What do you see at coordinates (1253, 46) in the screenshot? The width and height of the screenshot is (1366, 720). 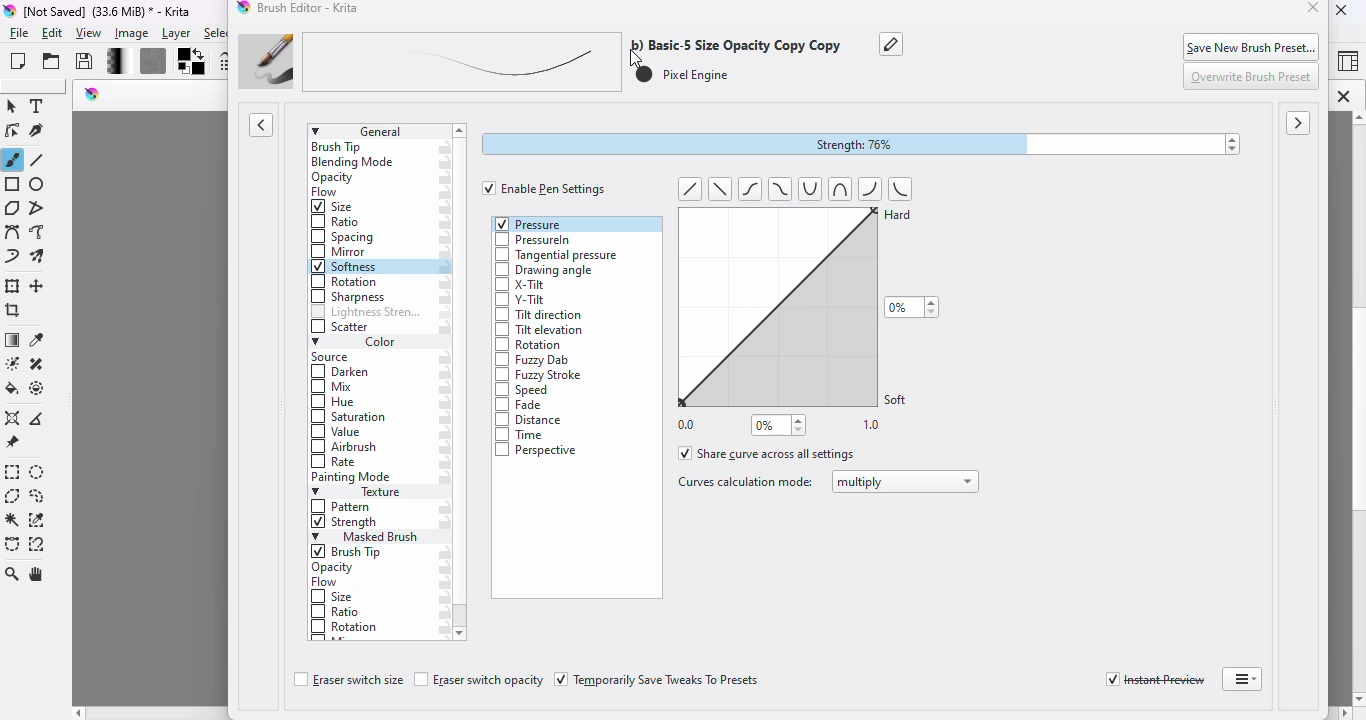 I see `save new brush preset` at bounding box center [1253, 46].